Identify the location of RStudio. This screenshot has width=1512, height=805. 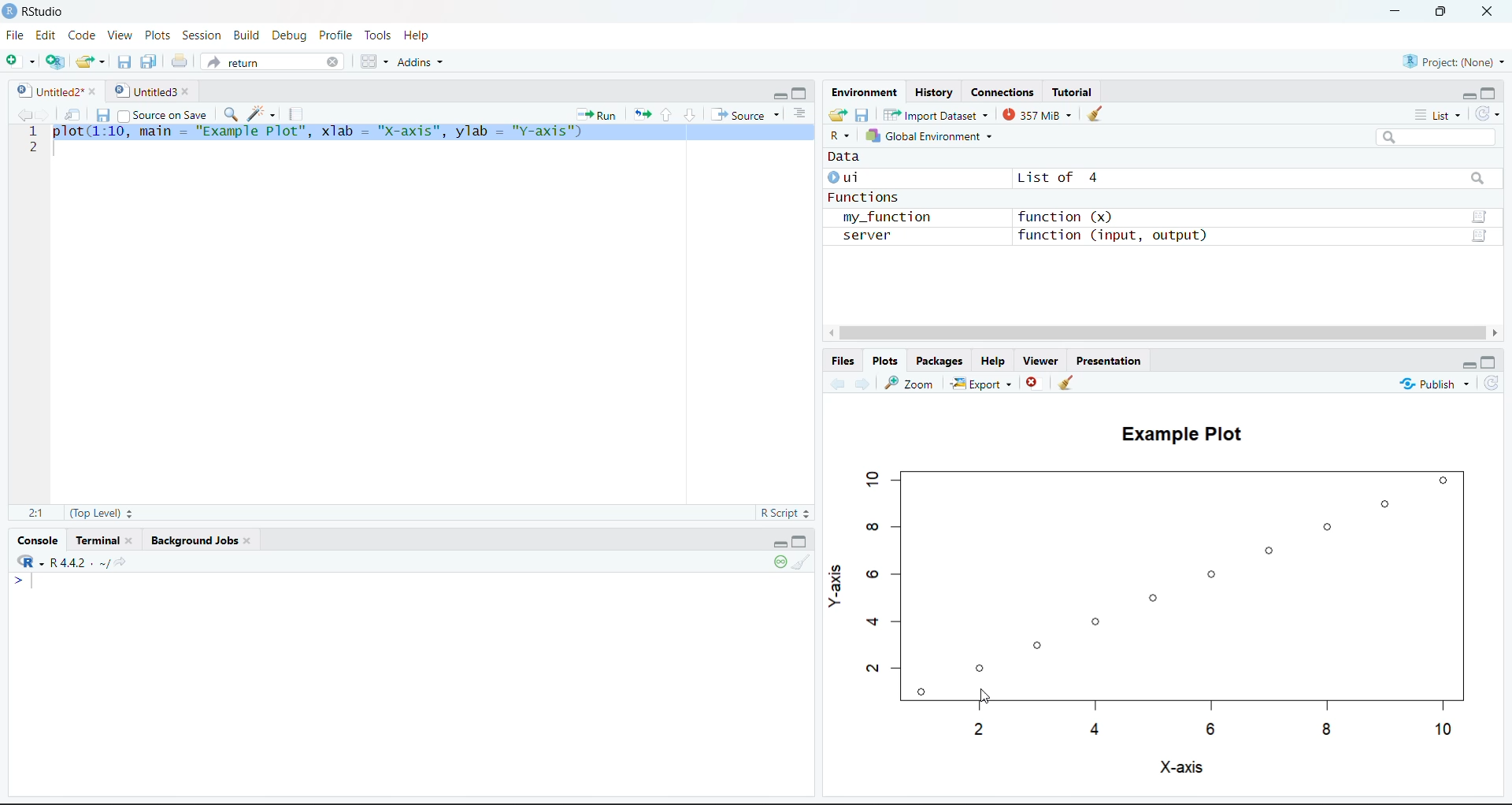
(36, 12).